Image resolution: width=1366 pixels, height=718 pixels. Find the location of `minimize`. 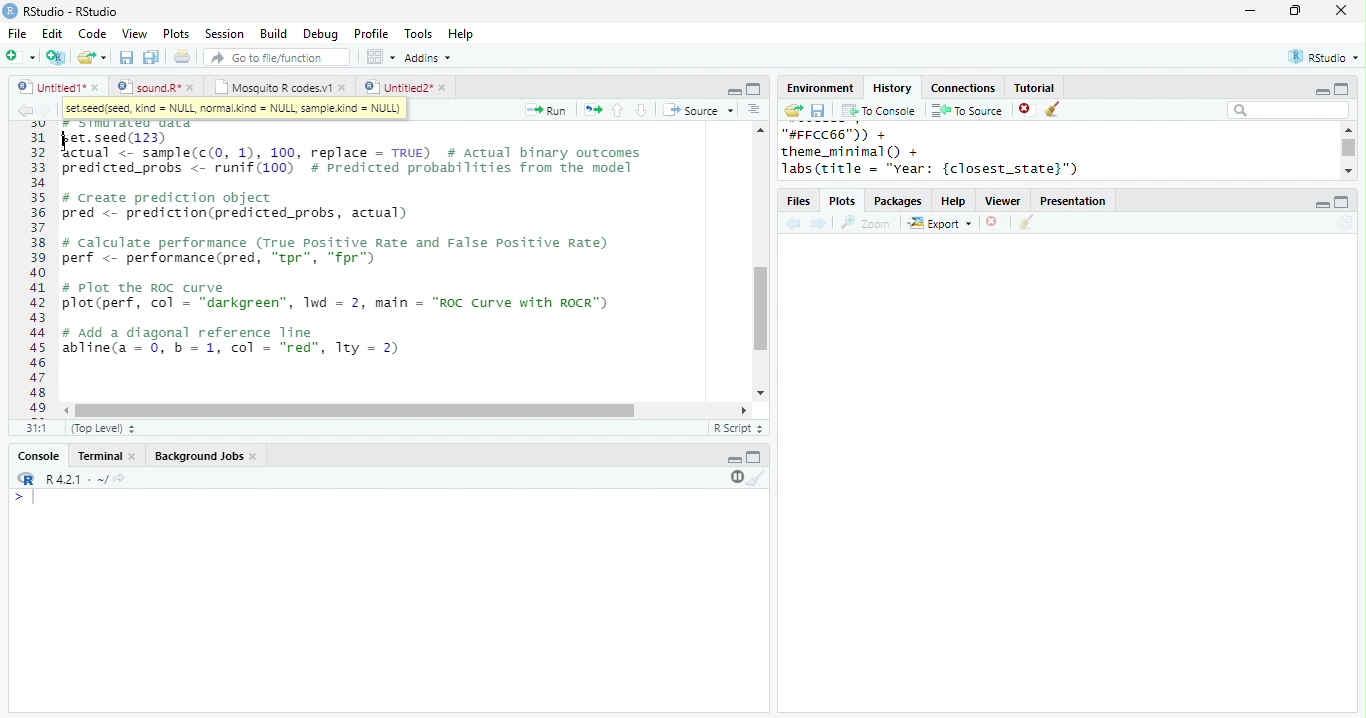

minimize is located at coordinates (1249, 10).